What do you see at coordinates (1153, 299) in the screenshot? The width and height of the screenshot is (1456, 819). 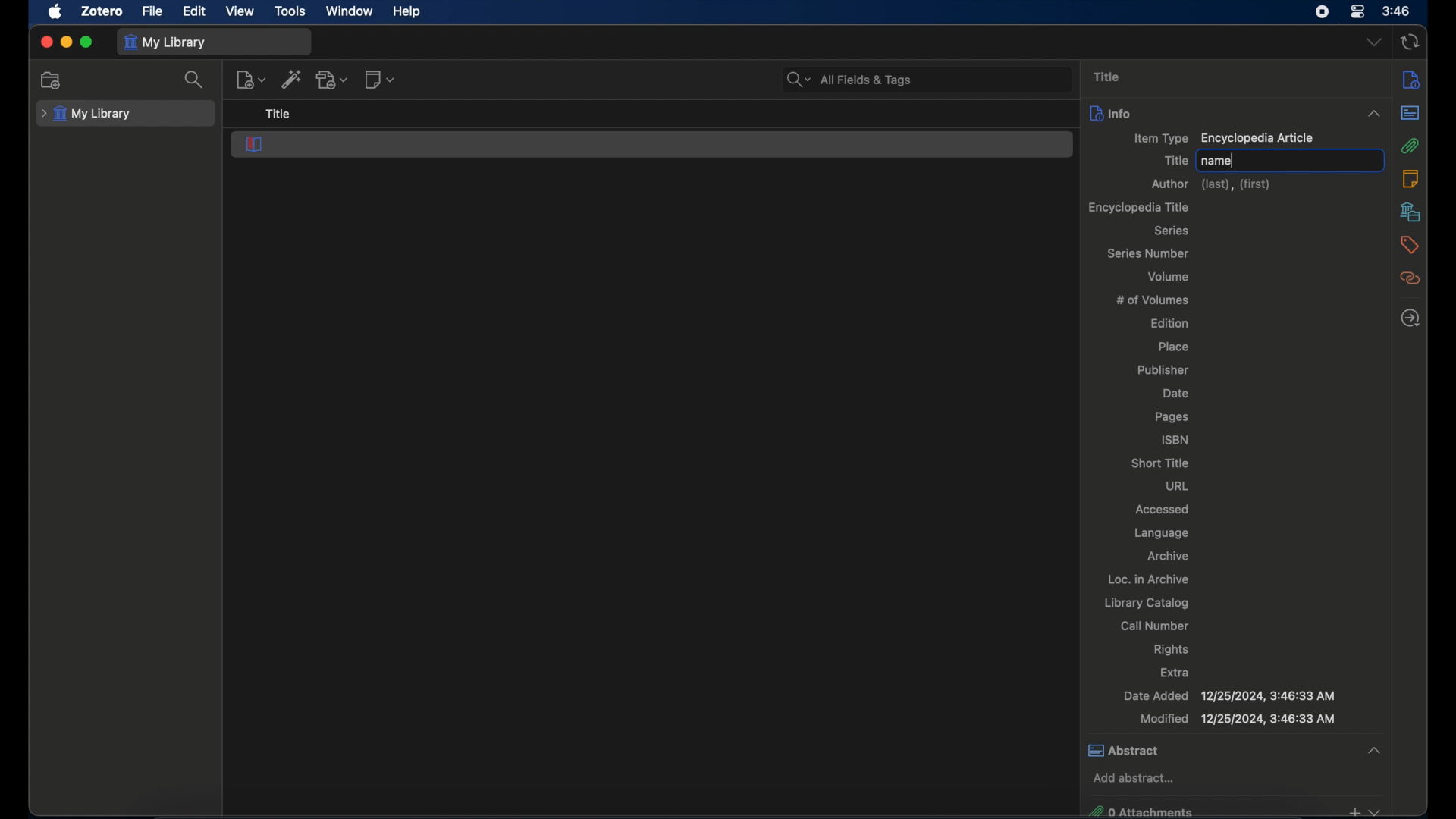 I see `no of volumes` at bounding box center [1153, 299].